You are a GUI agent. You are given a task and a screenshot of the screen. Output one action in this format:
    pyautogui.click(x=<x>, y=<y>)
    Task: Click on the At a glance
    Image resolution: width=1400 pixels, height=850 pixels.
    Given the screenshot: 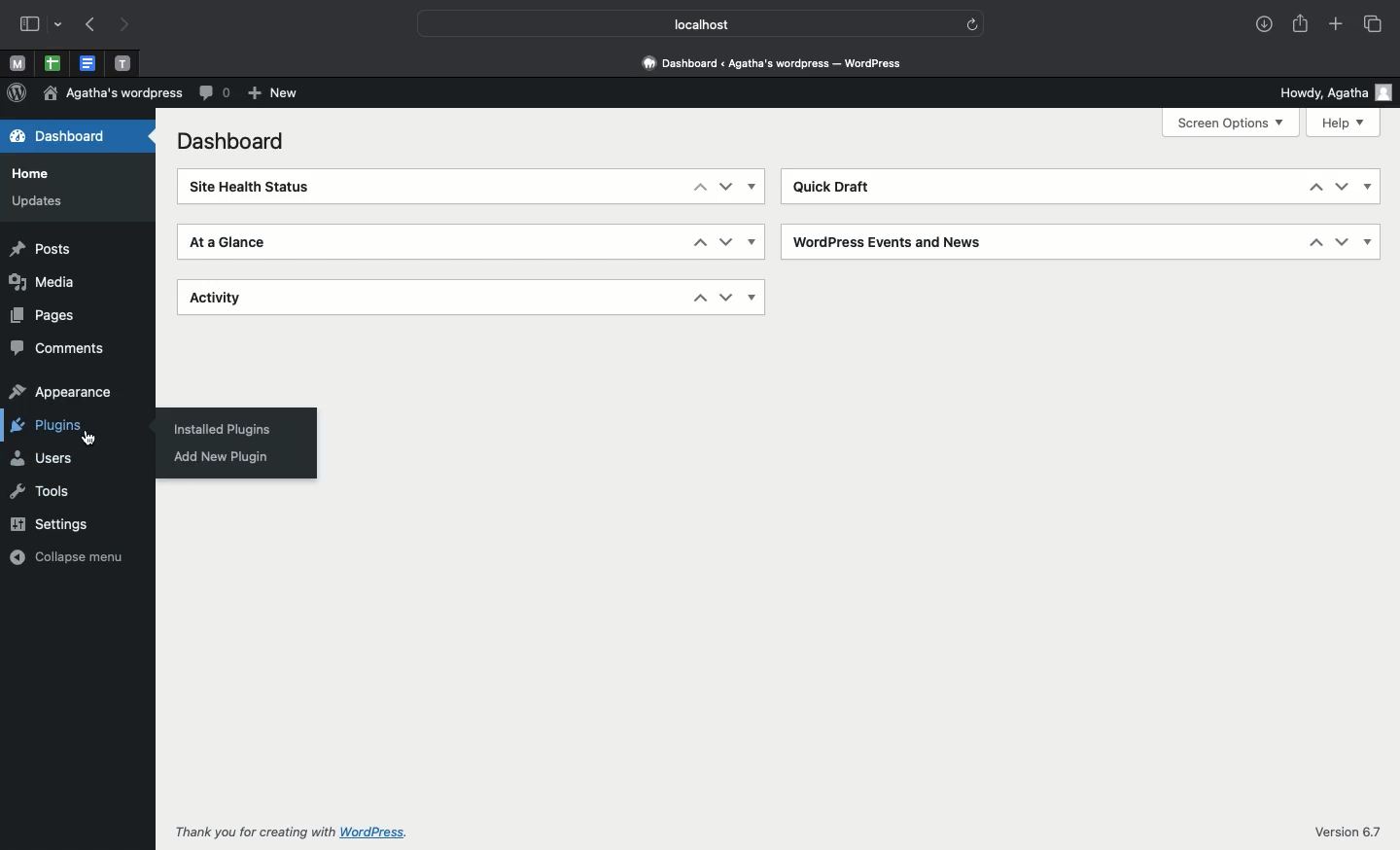 What is the action you would take?
    pyautogui.click(x=235, y=240)
    